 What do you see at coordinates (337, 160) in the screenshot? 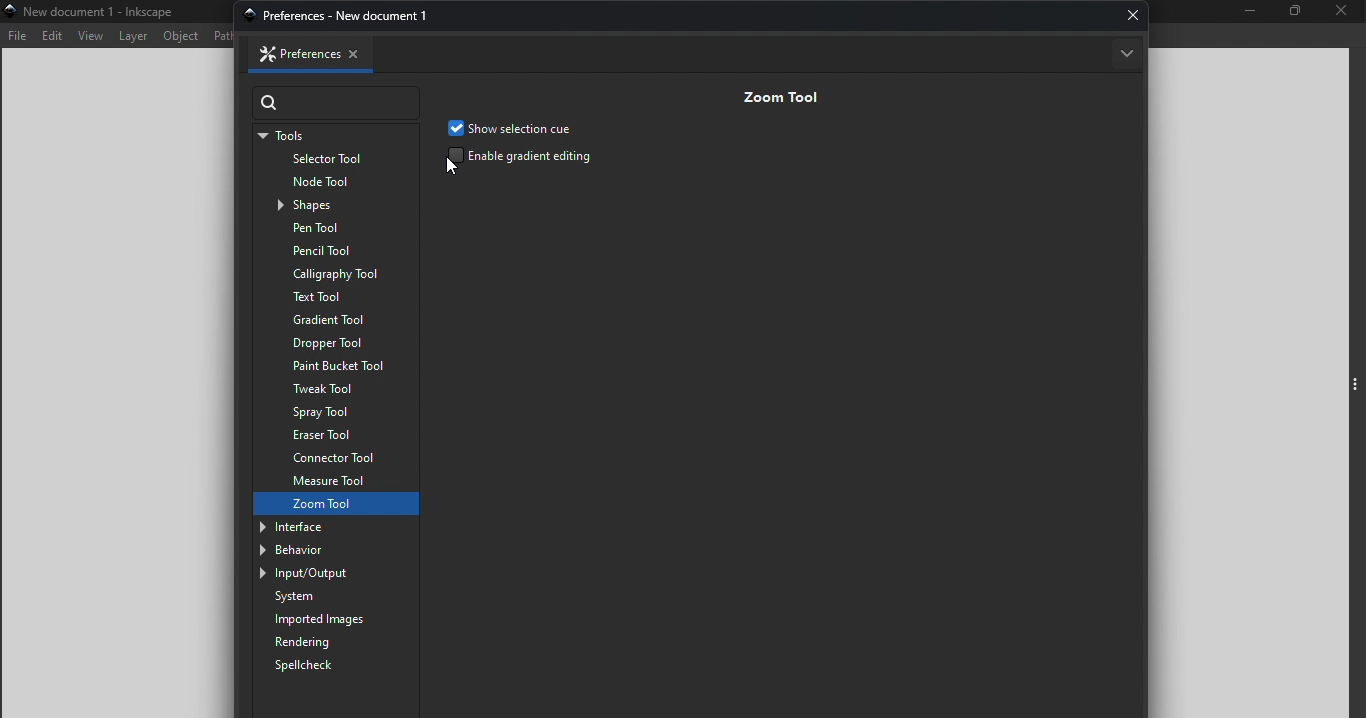
I see `Selector tool` at bounding box center [337, 160].